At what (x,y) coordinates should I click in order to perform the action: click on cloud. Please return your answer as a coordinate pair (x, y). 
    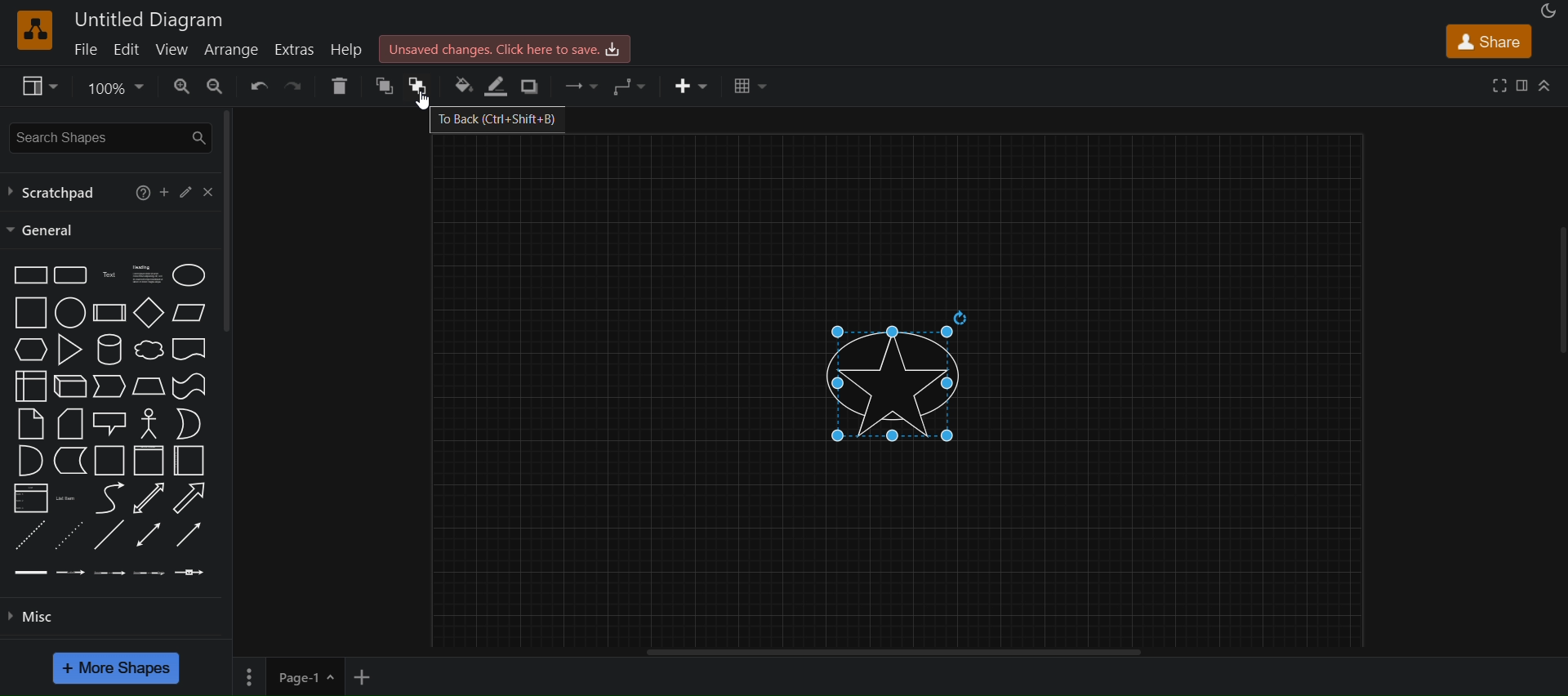
    Looking at the image, I should click on (149, 350).